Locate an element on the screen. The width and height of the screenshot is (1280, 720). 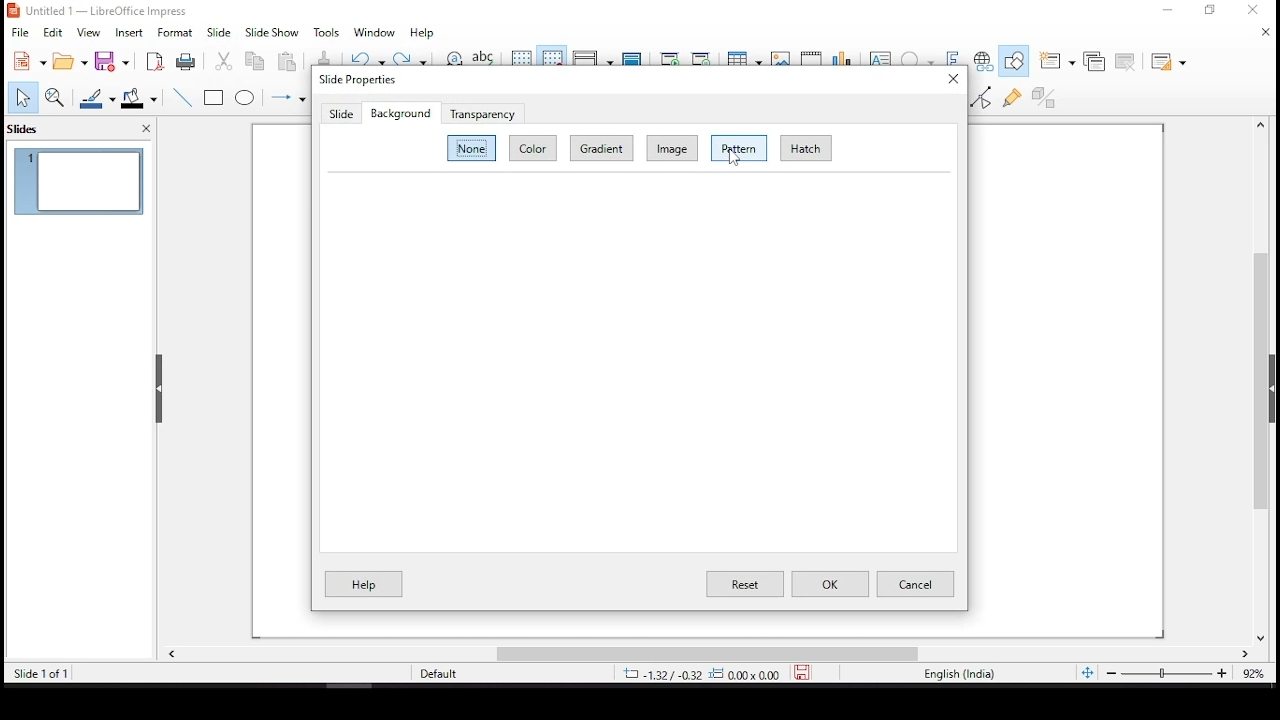
file is located at coordinates (20, 32).